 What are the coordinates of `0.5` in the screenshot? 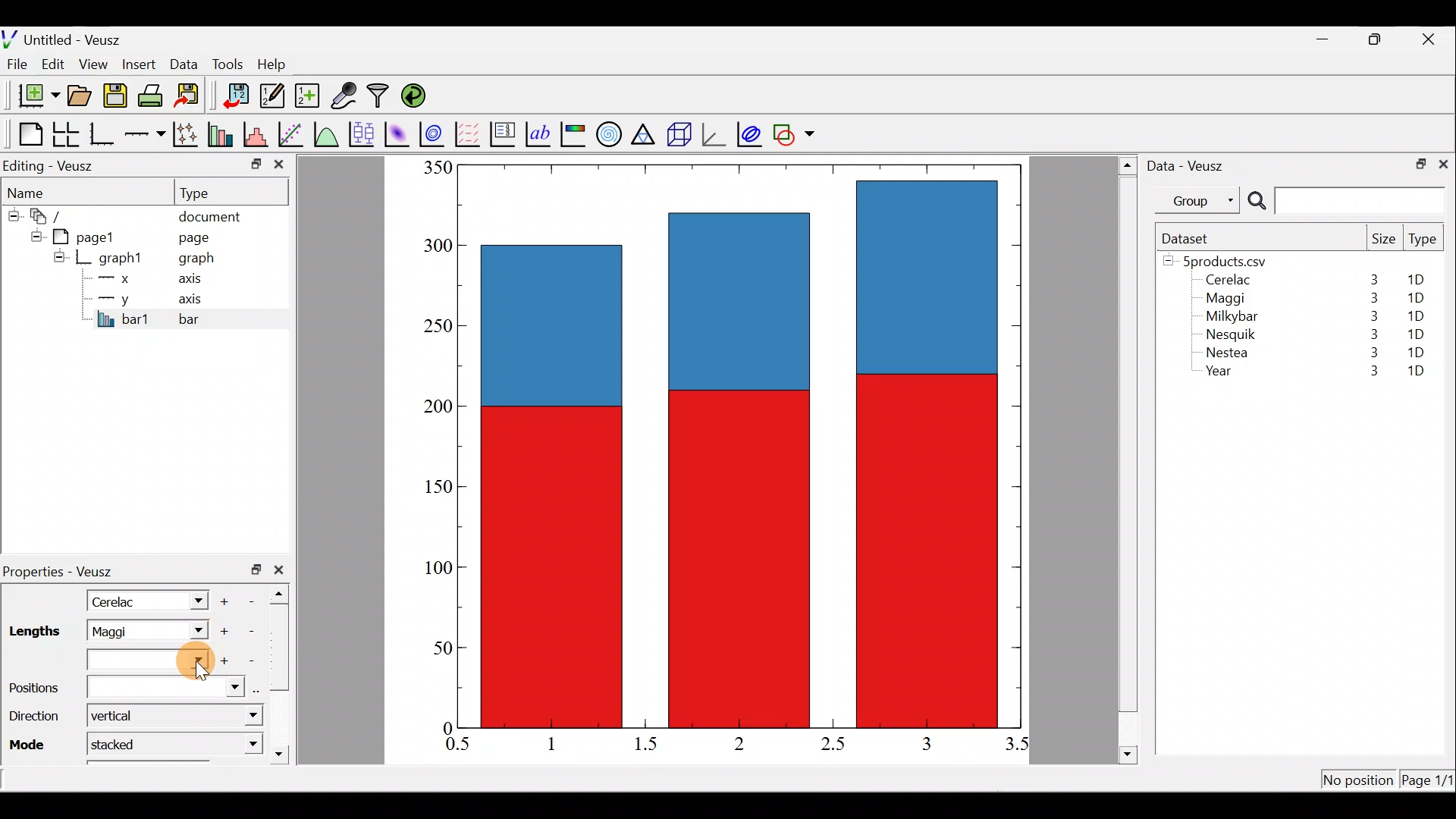 It's located at (458, 746).